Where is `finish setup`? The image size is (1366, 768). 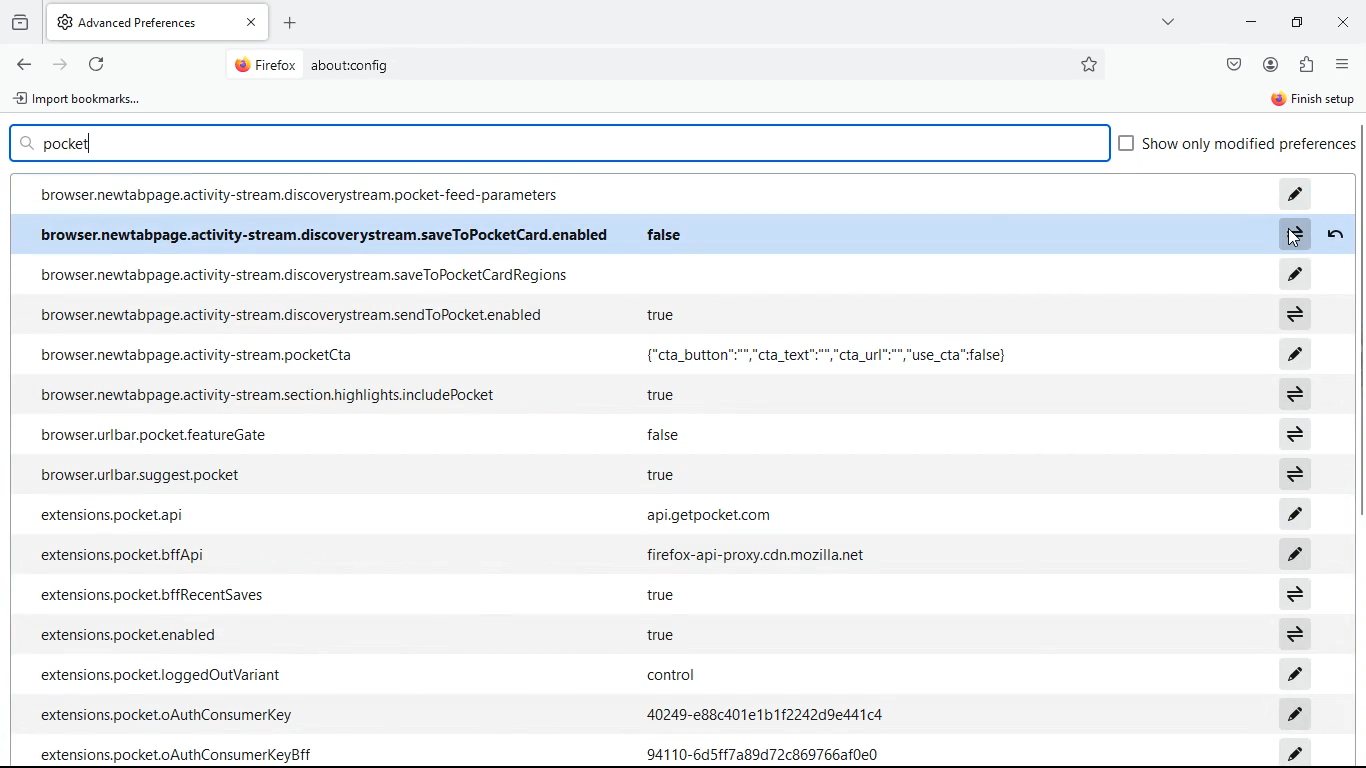
finish setup is located at coordinates (1314, 102).